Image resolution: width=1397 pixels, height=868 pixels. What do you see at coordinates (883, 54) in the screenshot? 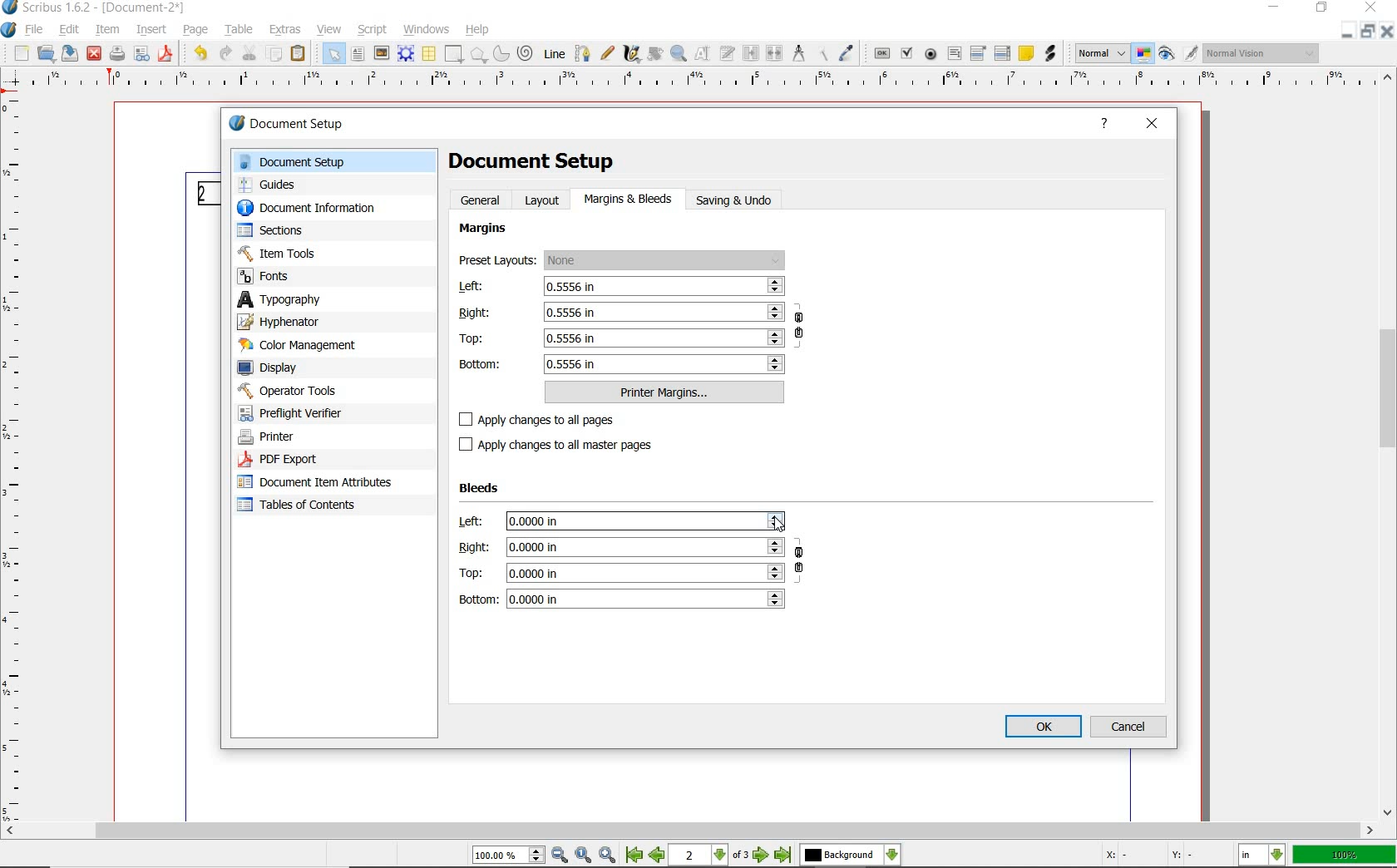
I see `pdf push button` at bounding box center [883, 54].